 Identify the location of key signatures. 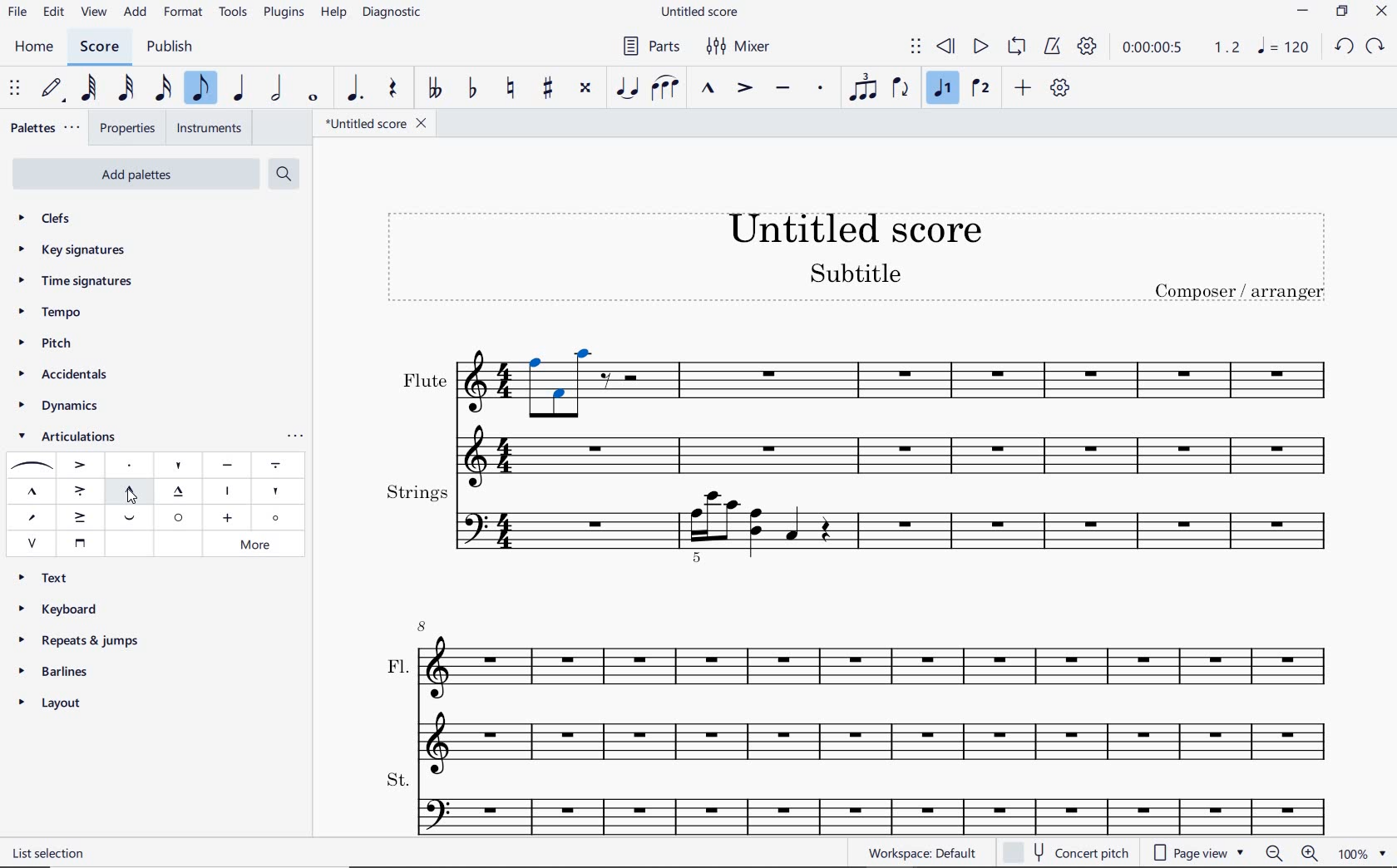
(76, 253).